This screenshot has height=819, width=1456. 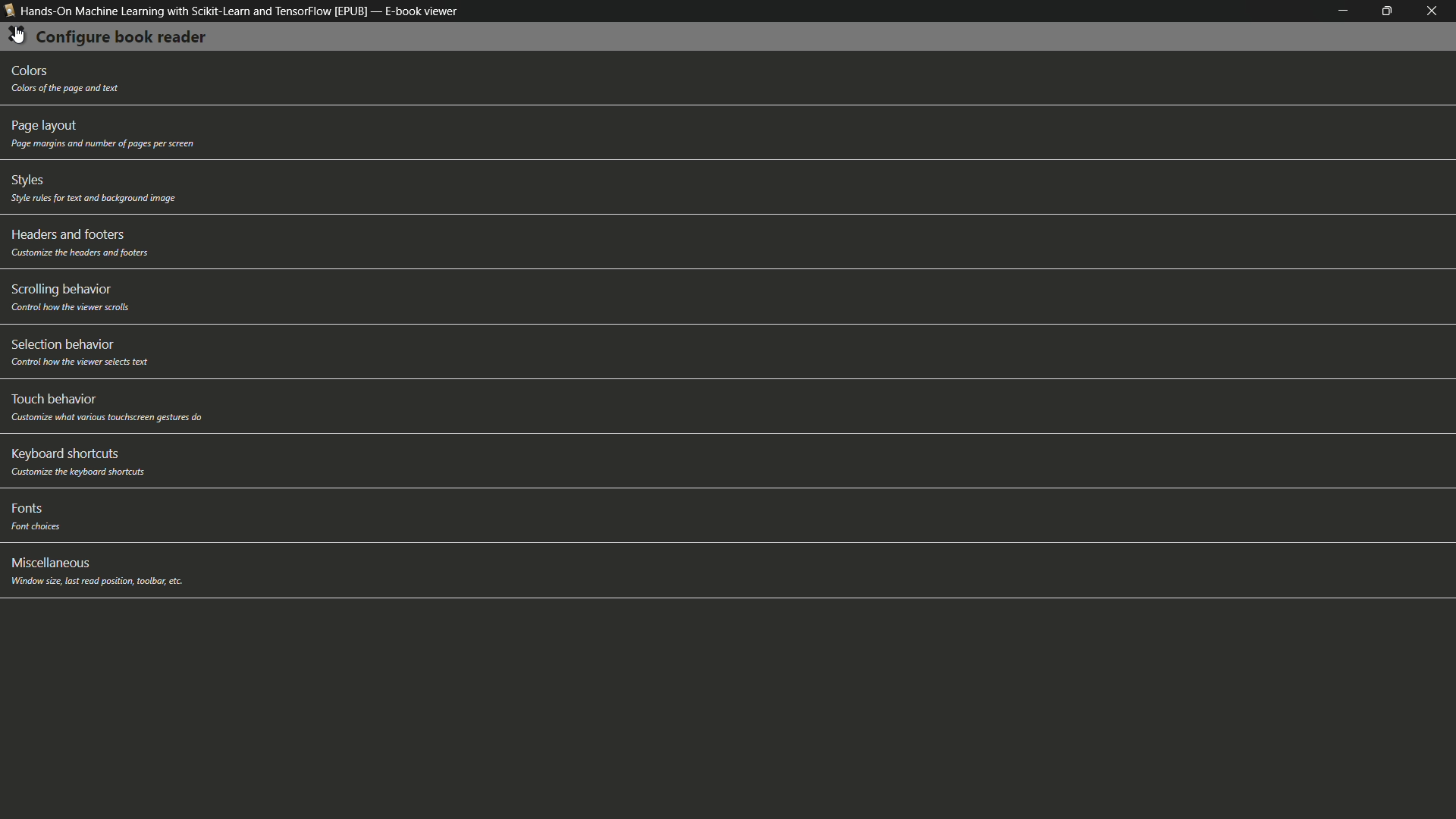 I want to click on page layout, so click(x=44, y=126).